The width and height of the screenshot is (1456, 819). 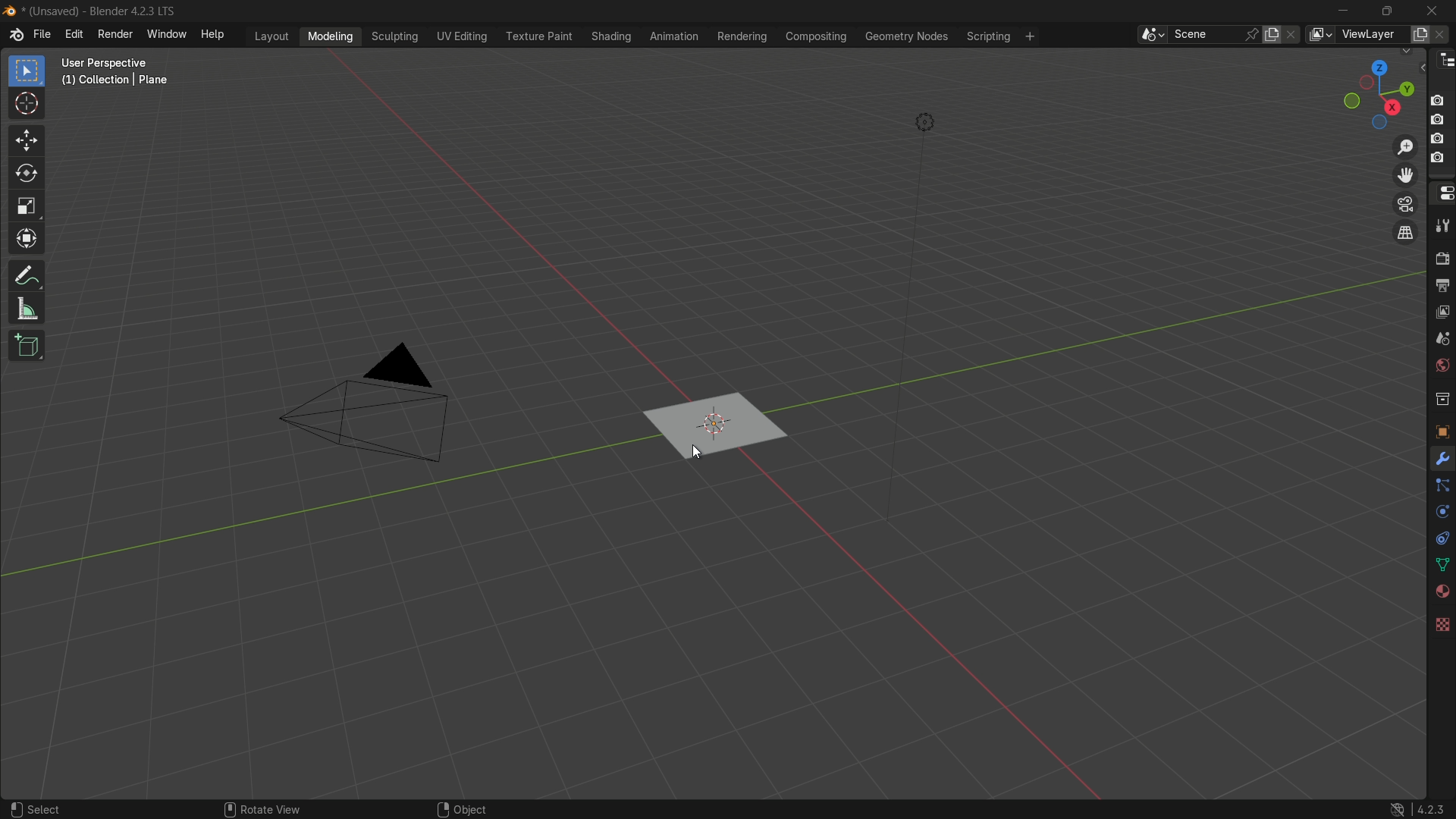 What do you see at coordinates (27, 71) in the screenshot?
I see `select box` at bounding box center [27, 71].